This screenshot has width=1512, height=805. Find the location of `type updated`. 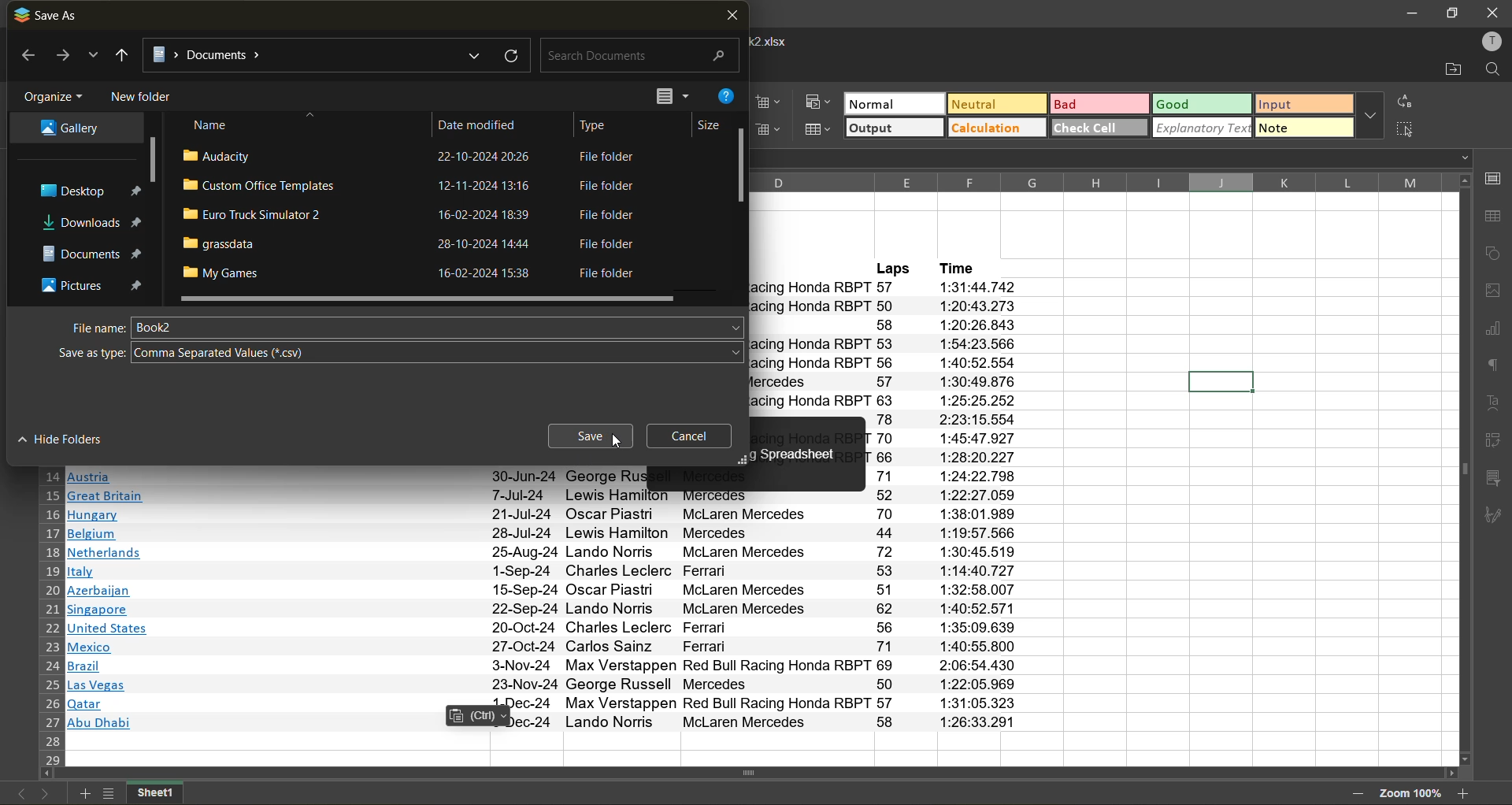

type updated is located at coordinates (243, 352).